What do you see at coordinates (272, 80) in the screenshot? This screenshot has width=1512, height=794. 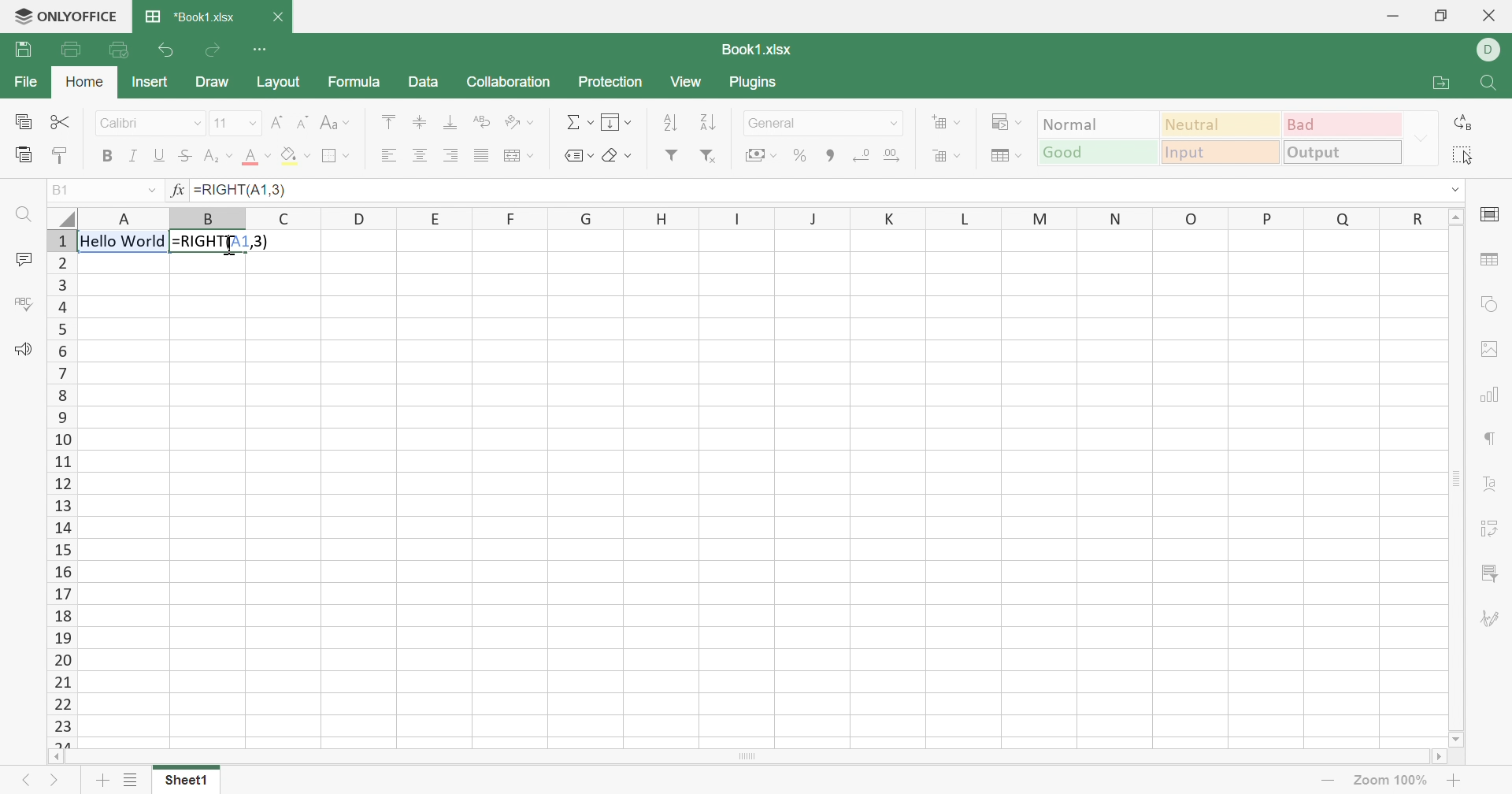 I see `Layout` at bounding box center [272, 80].